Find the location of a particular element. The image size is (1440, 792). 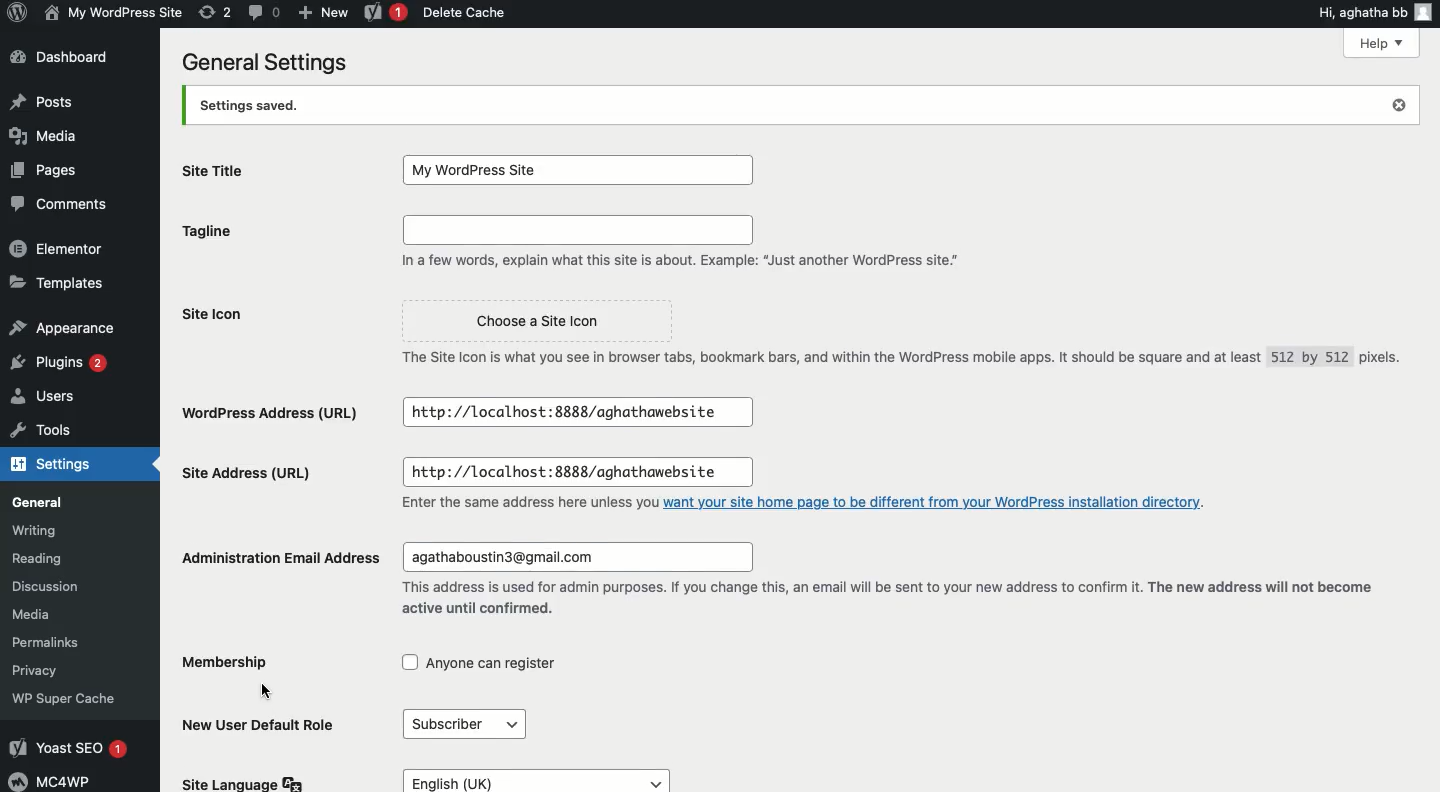

Appearance is located at coordinates (67, 326).